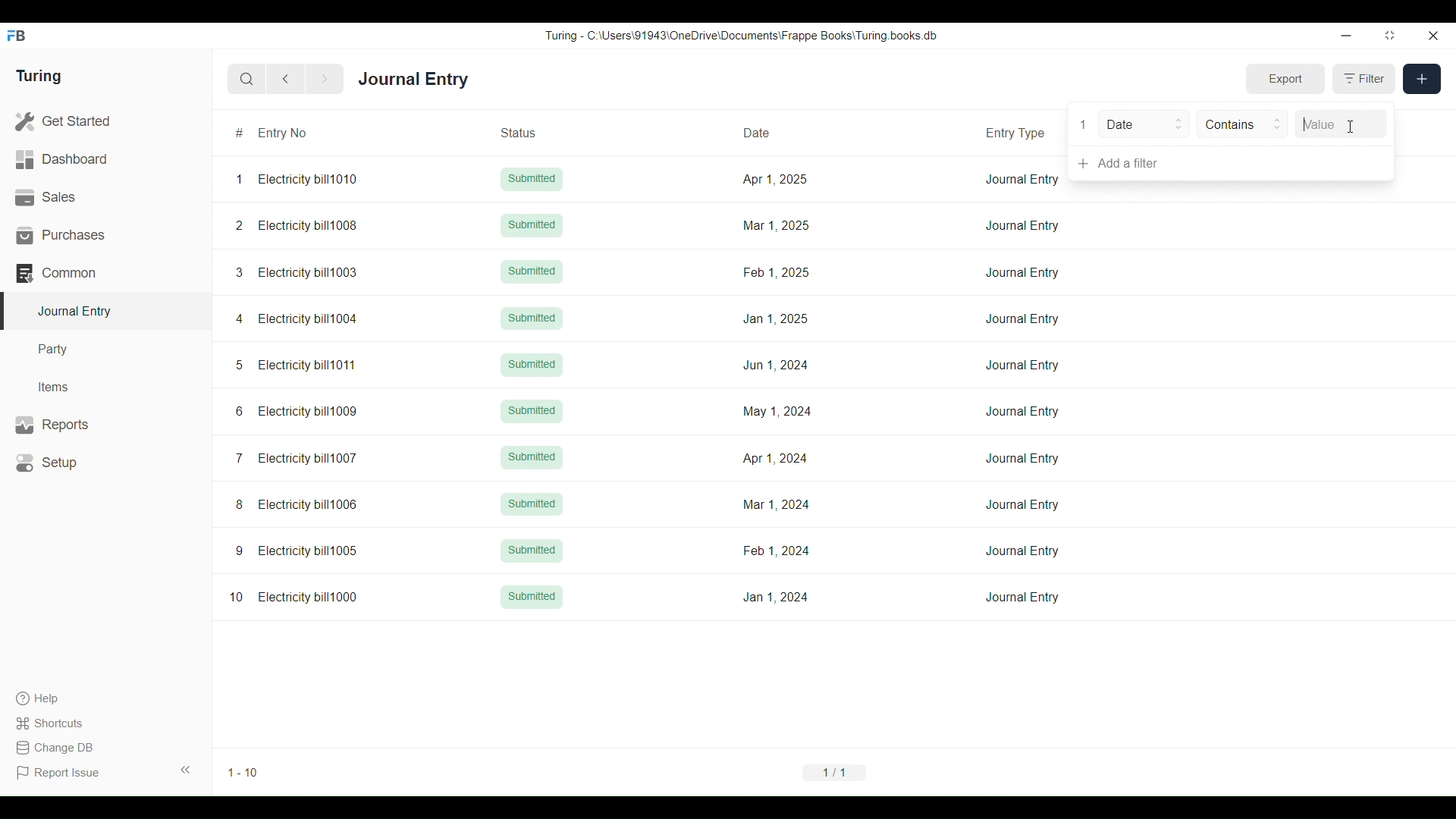 Image resolution: width=1456 pixels, height=819 pixels. Describe the element at coordinates (1364, 79) in the screenshot. I see `Filter` at that location.